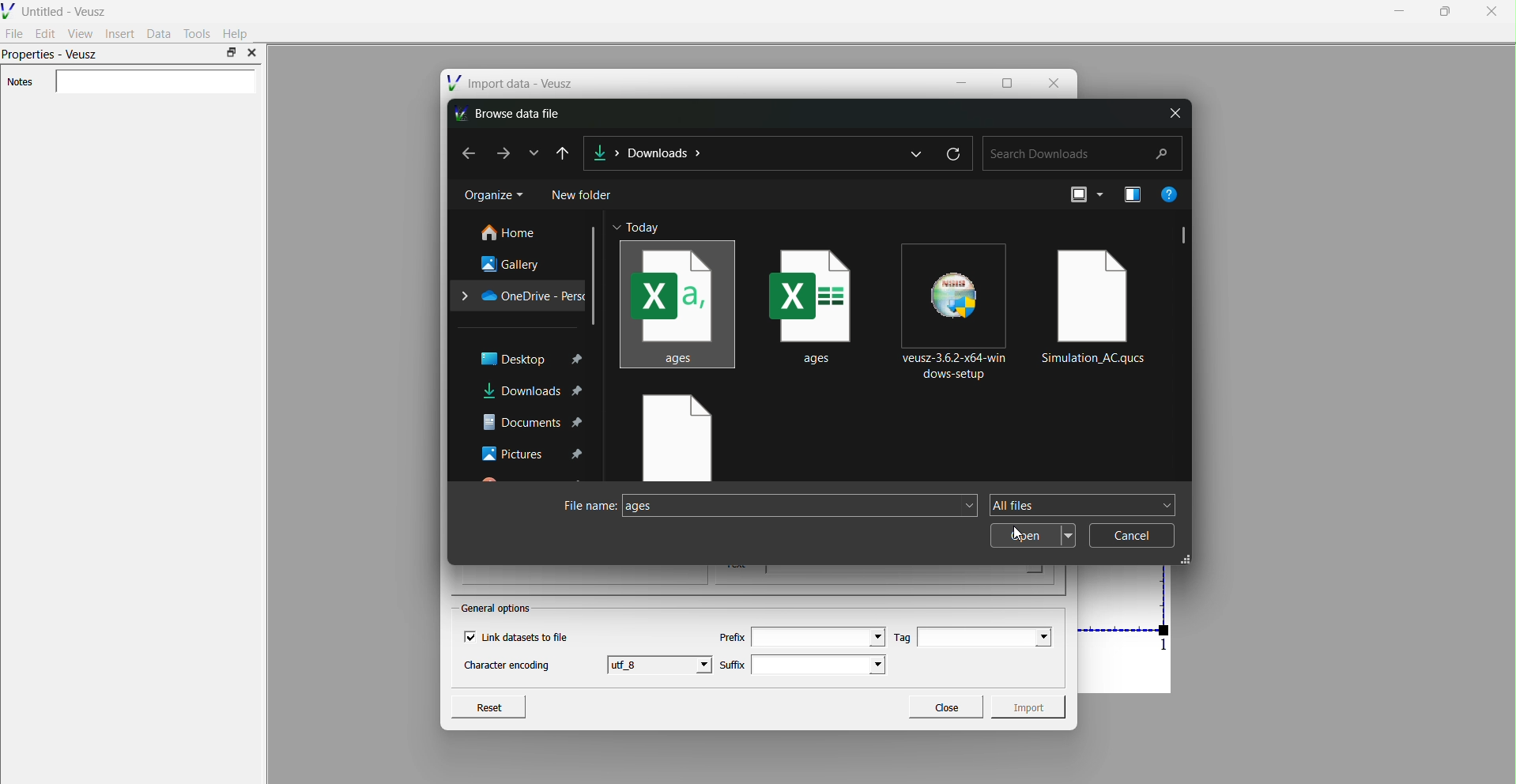  What do you see at coordinates (1007, 81) in the screenshot?
I see `maximise` at bounding box center [1007, 81].